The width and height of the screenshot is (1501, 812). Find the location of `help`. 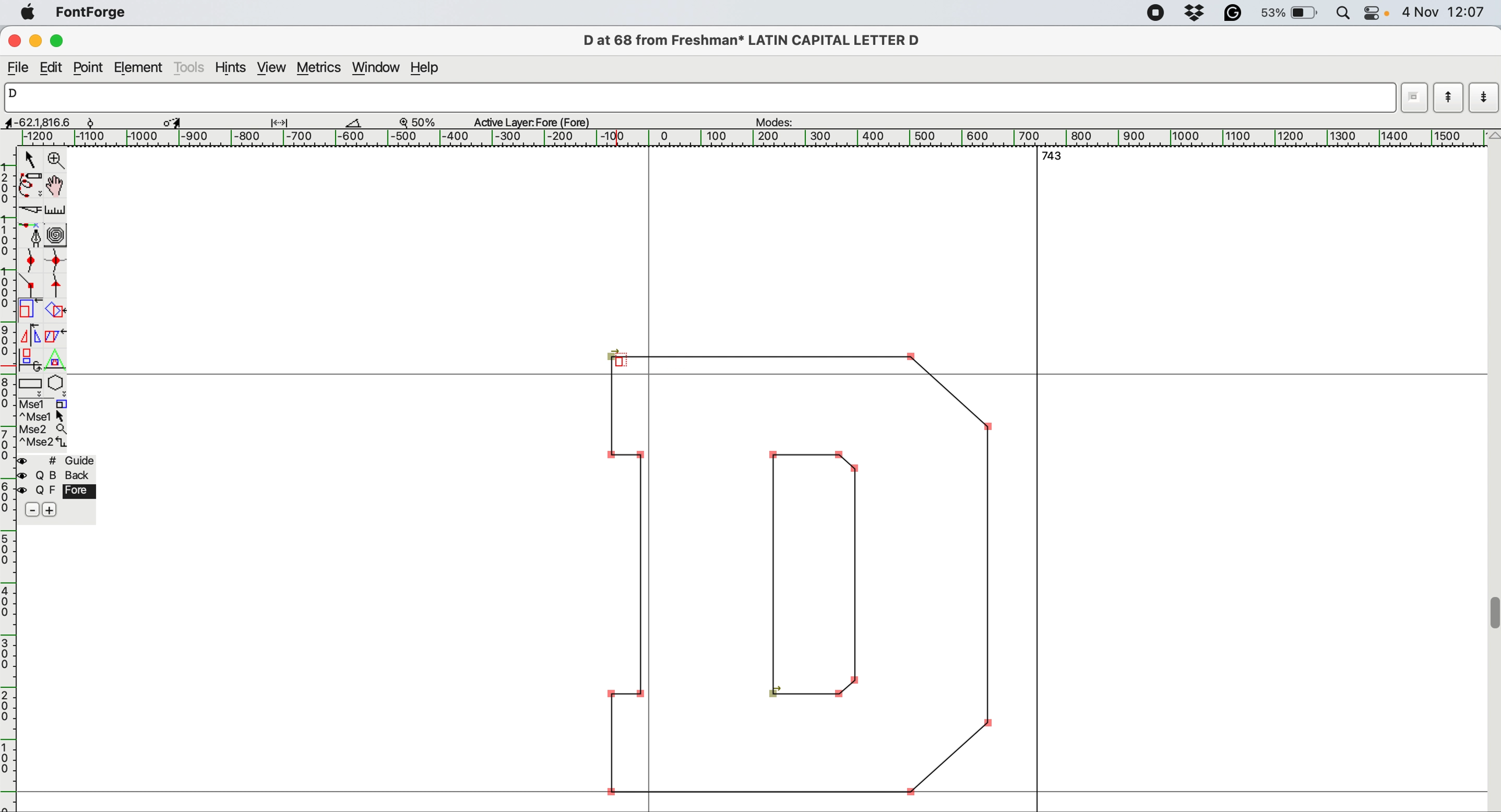

help is located at coordinates (430, 69).